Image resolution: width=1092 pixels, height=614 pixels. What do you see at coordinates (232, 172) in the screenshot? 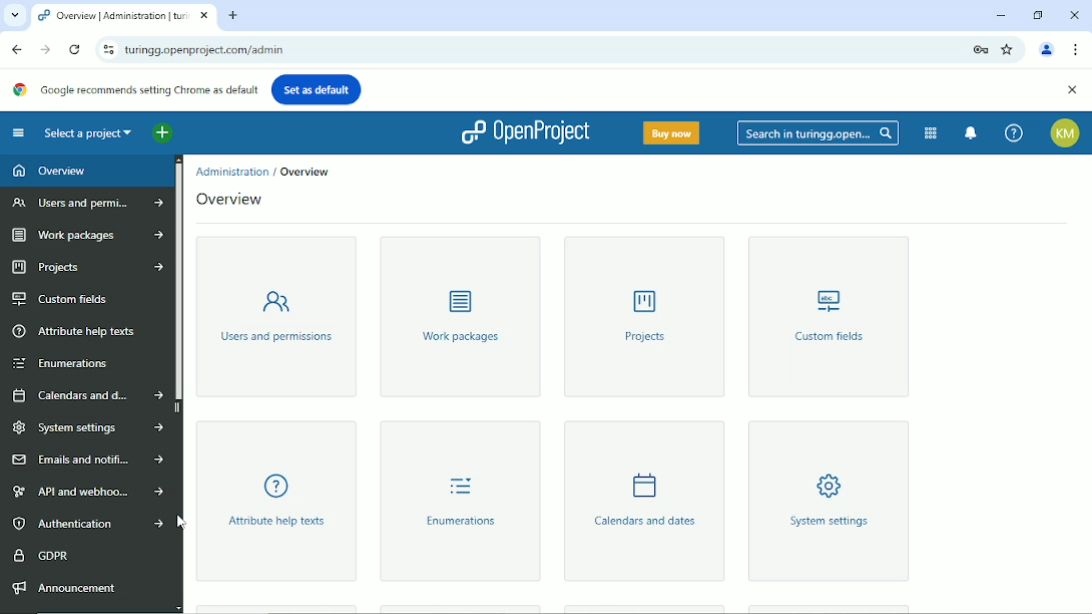
I see `Admistration` at bounding box center [232, 172].